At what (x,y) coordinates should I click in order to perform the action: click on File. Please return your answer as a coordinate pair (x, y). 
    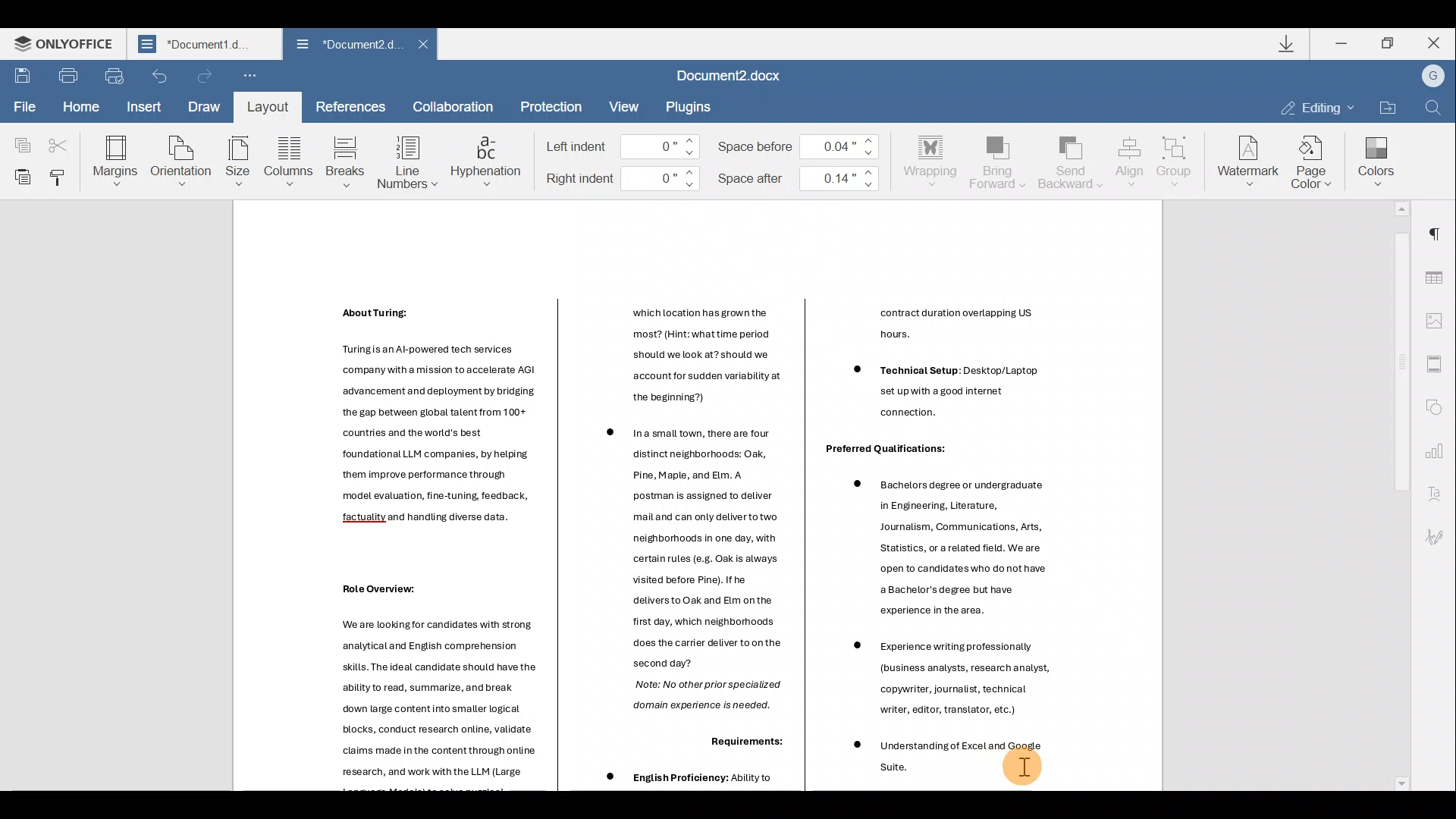
    Looking at the image, I should click on (22, 105).